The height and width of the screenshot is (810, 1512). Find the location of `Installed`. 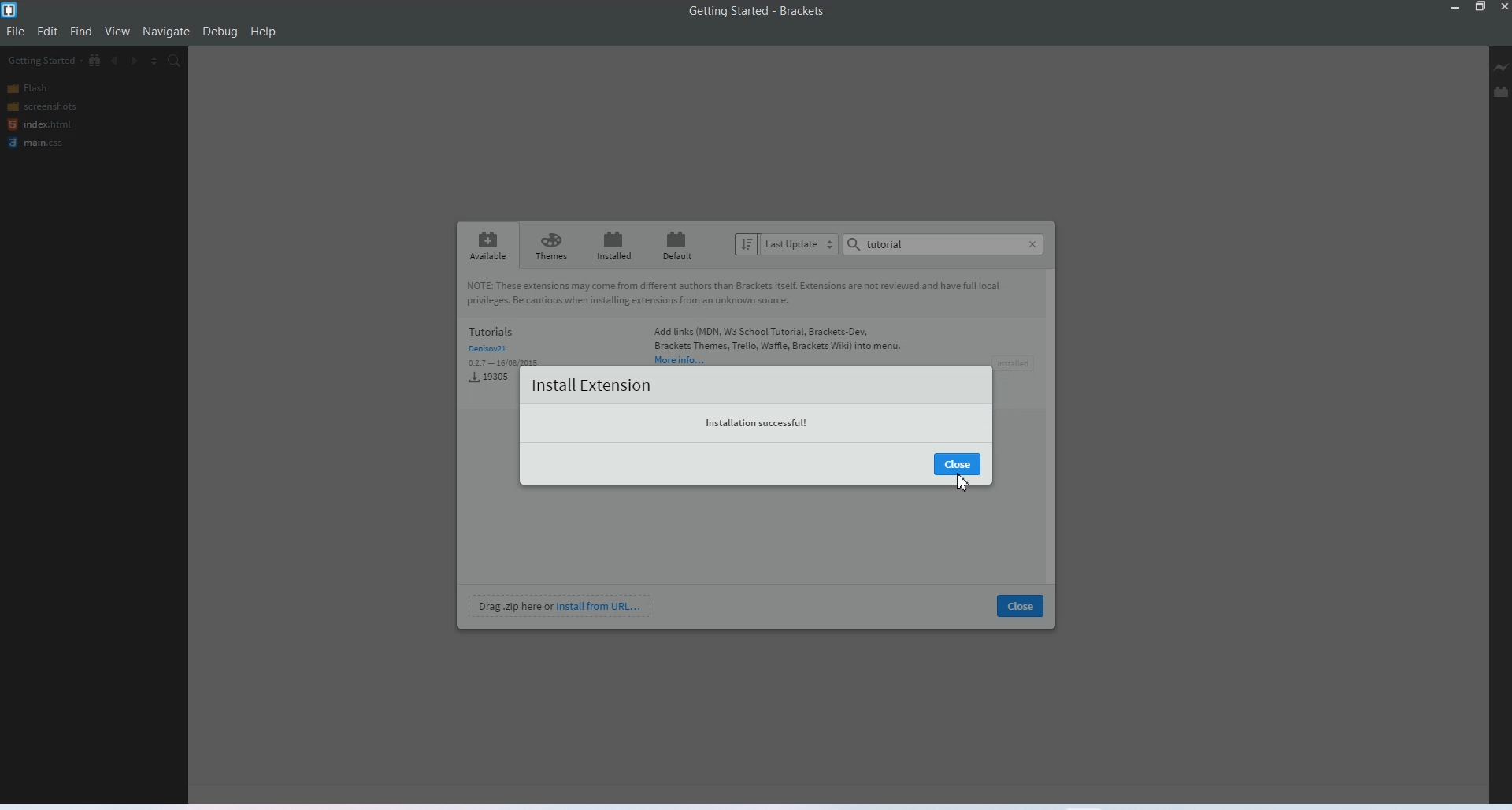

Installed is located at coordinates (611, 245).